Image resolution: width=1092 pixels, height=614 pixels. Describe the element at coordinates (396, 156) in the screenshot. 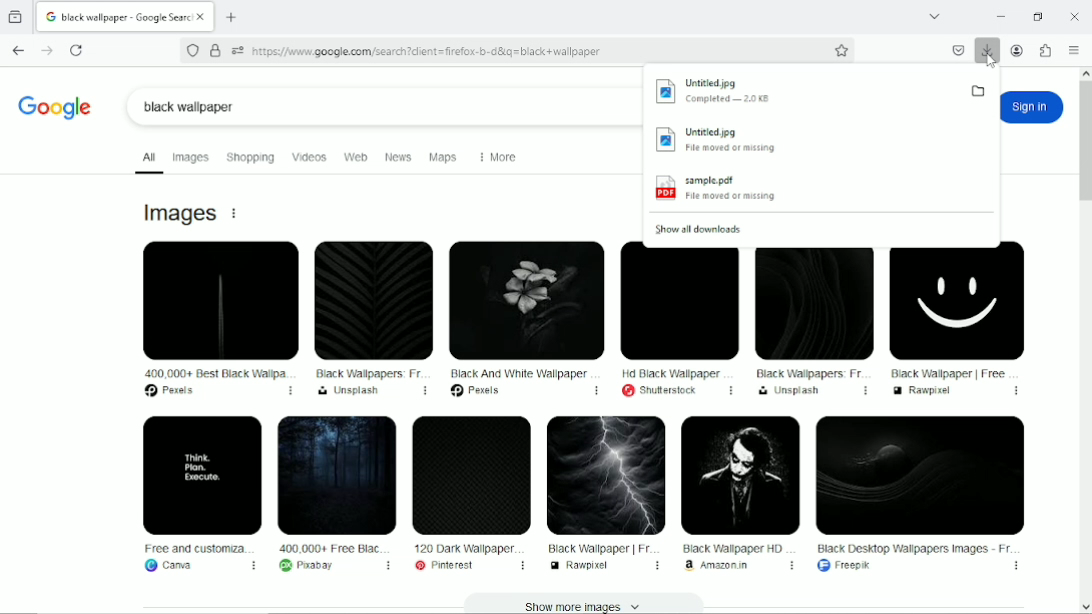

I see `News` at that location.